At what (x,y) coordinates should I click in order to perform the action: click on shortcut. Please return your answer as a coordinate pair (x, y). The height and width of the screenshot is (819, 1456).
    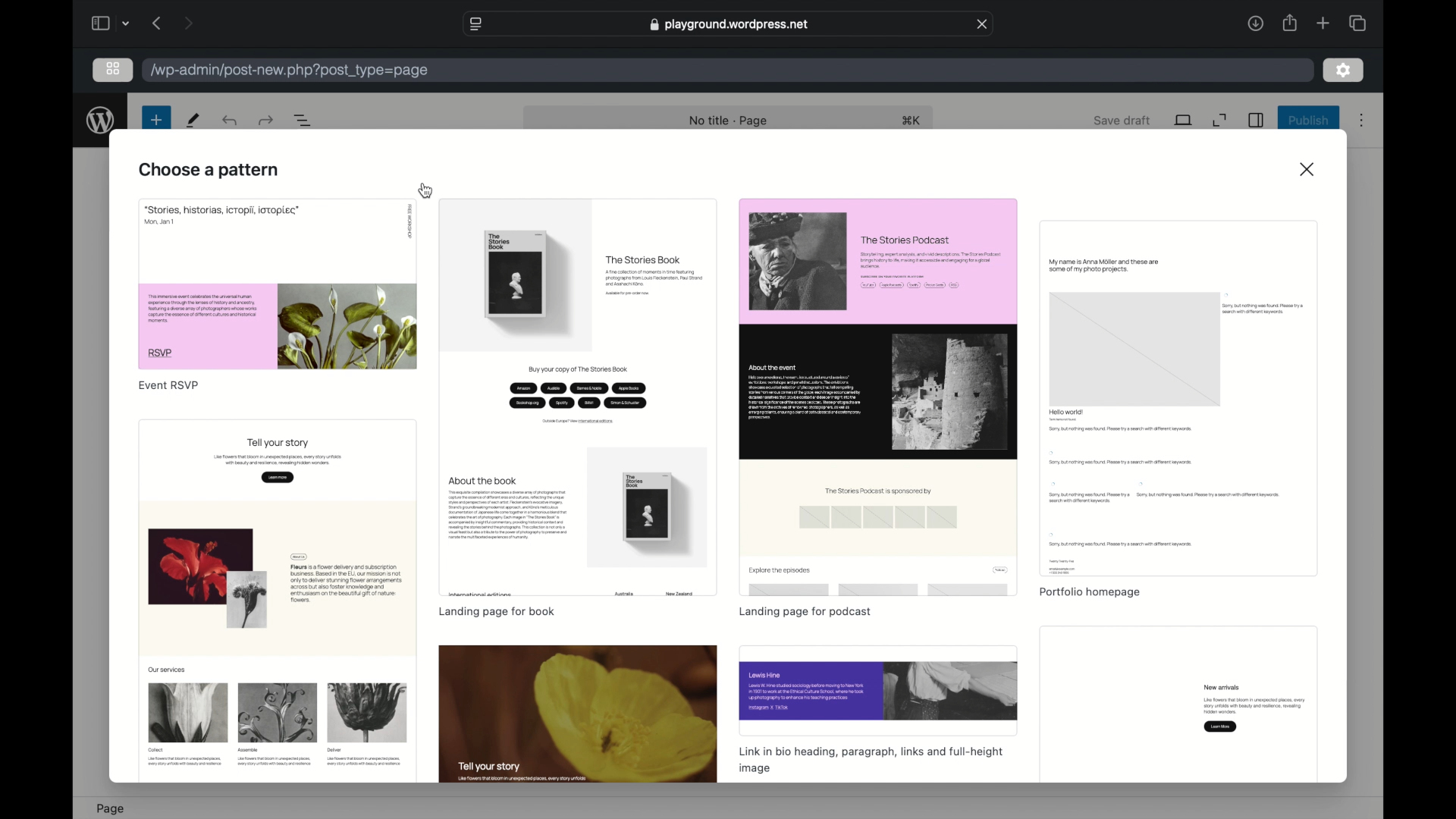
    Looking at the image, I should click on (914, 121).